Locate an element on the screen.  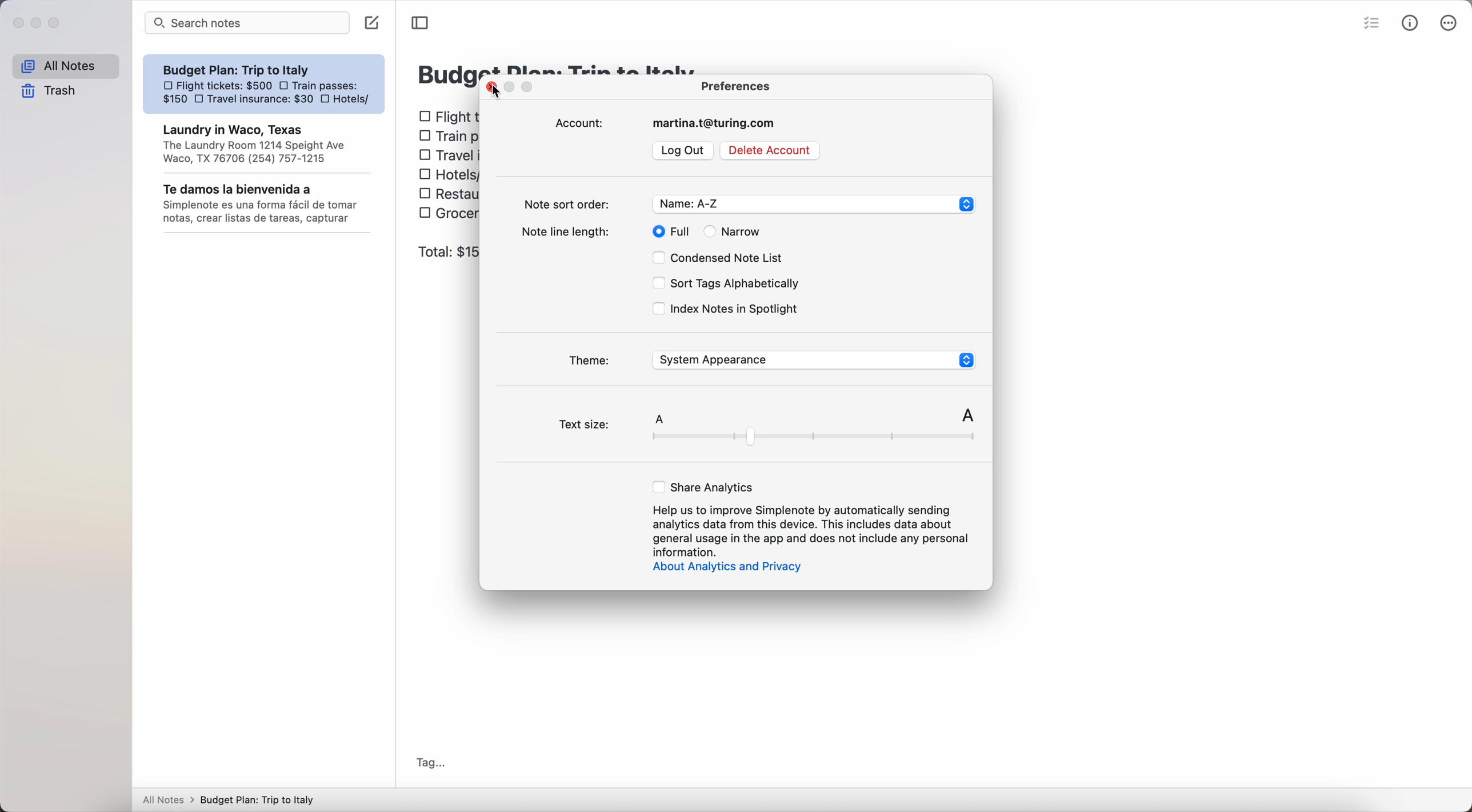
close is located at coordinates (491, 93).